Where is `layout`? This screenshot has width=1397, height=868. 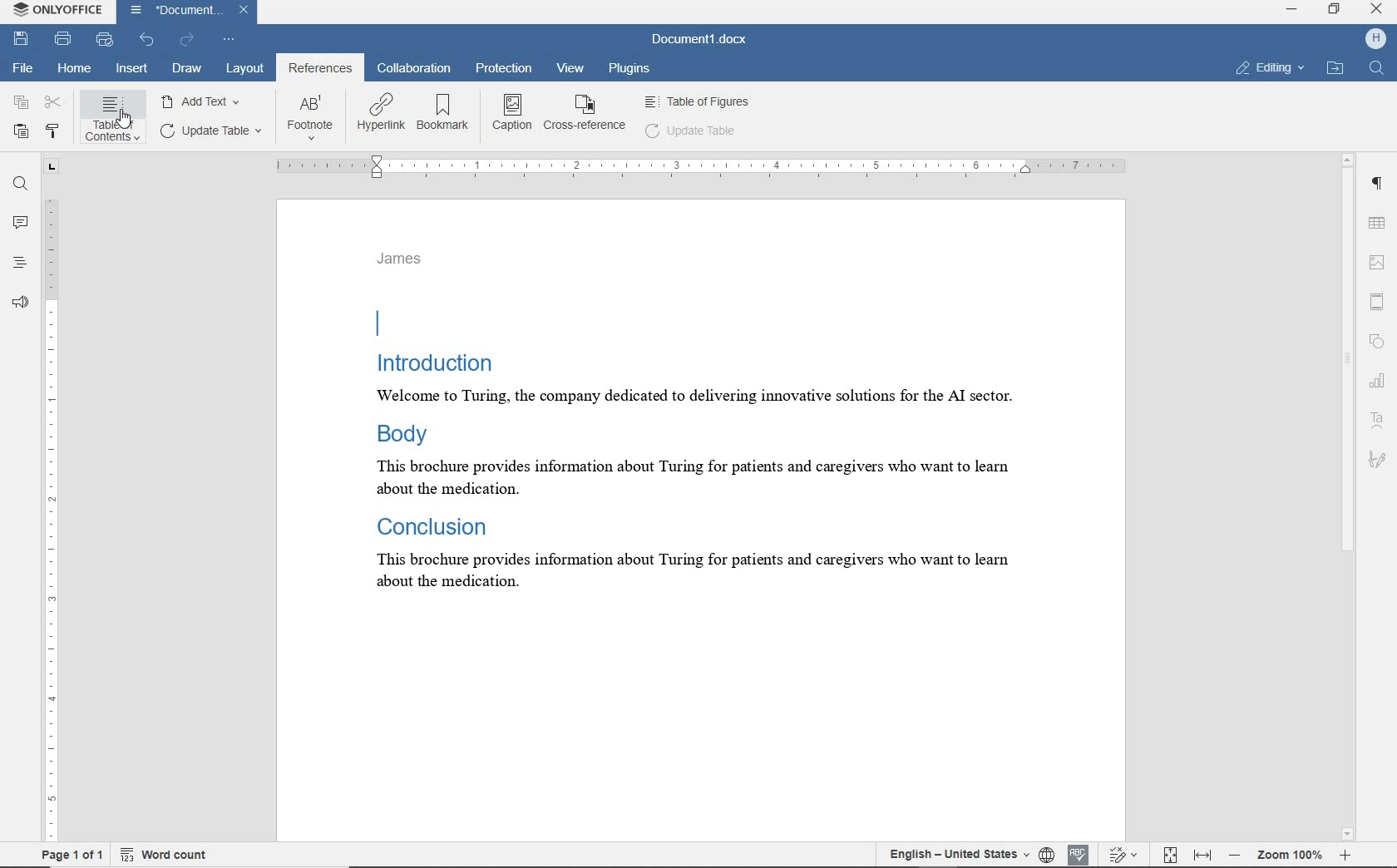
layout is located at coordinates (244, 68).